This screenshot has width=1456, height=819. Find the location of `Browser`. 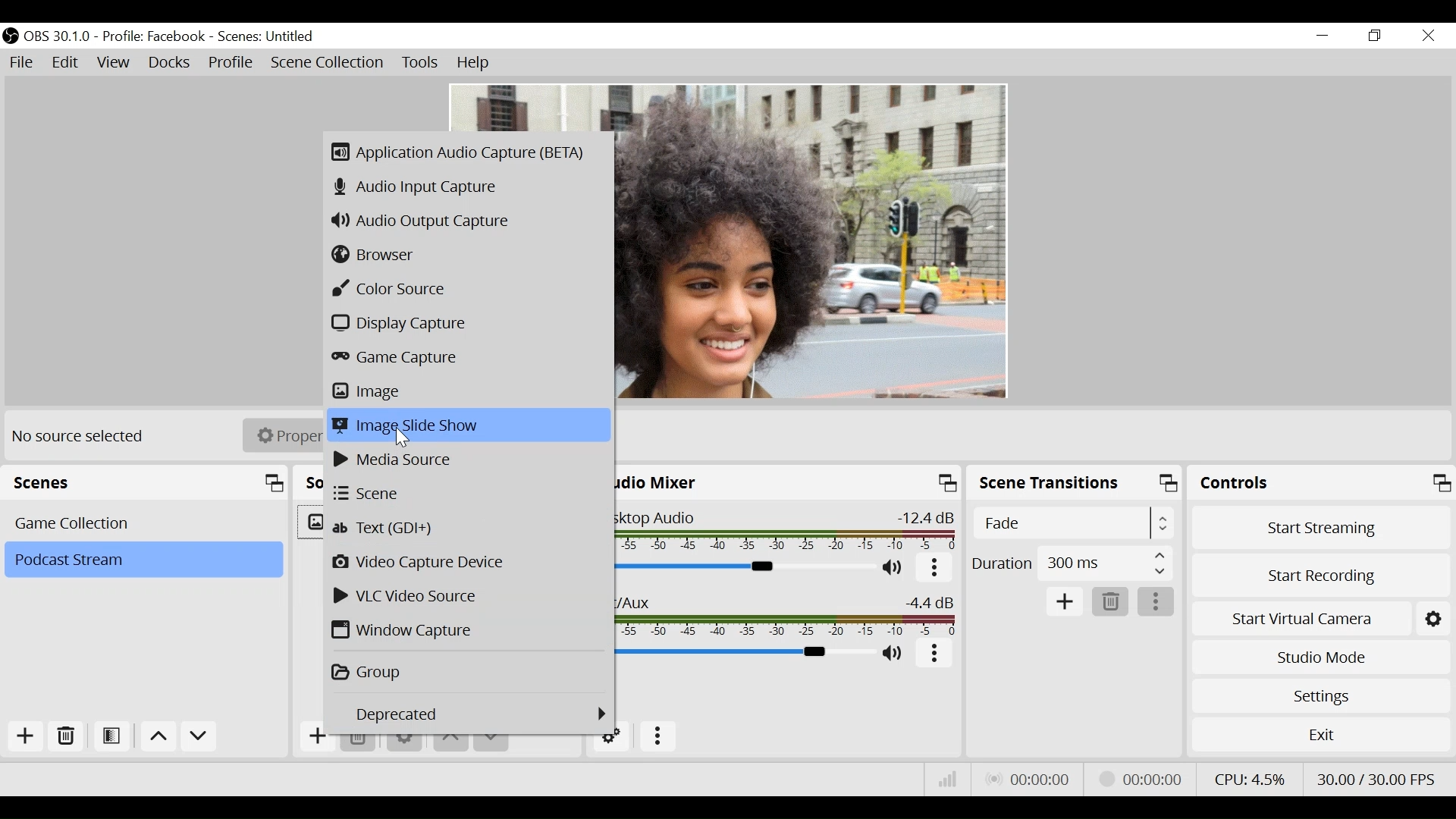

Browser is located at coordinates (466, 255).